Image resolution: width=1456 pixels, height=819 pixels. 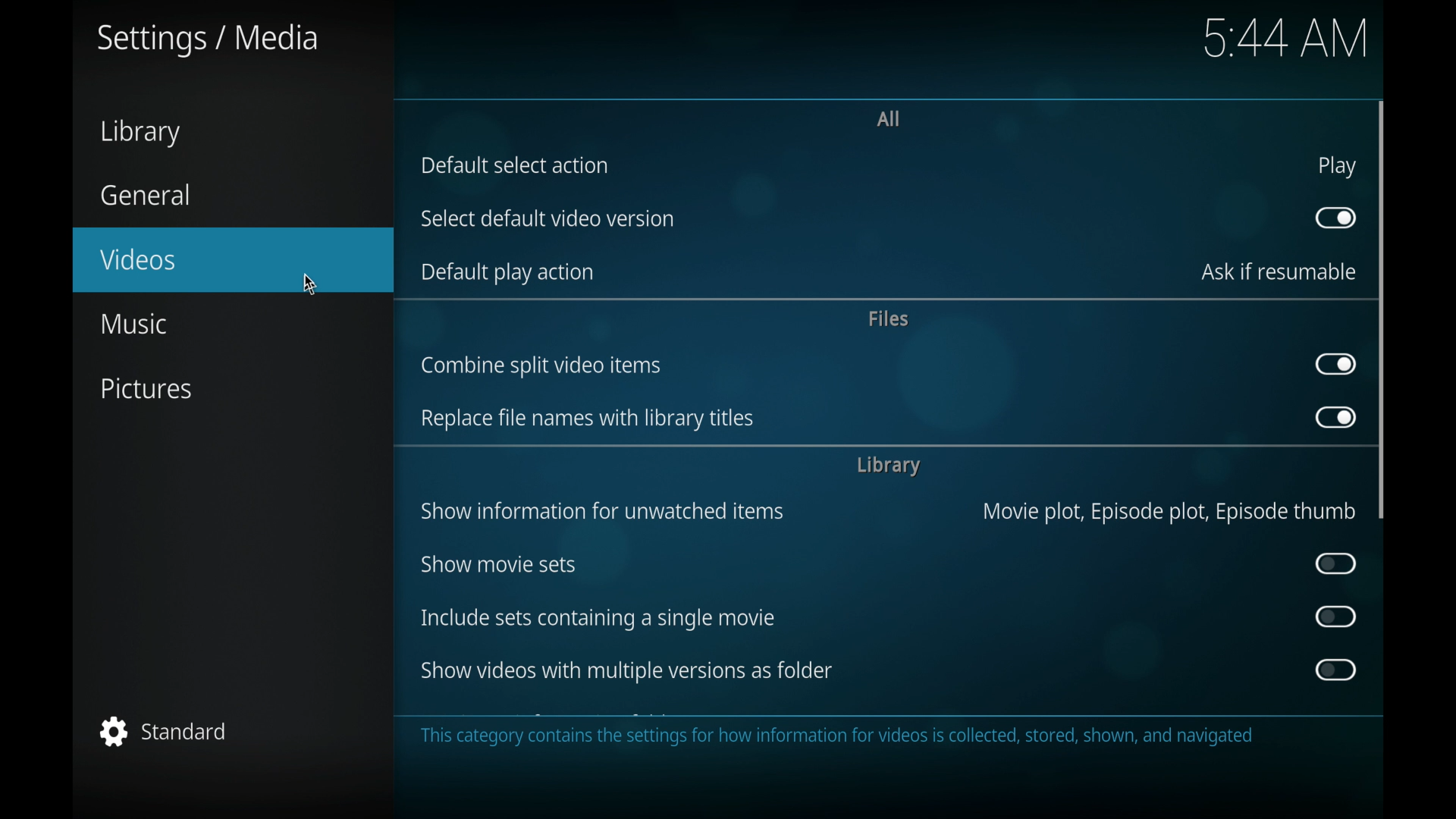 I want to click on replace file, so click(x=587, y=419).